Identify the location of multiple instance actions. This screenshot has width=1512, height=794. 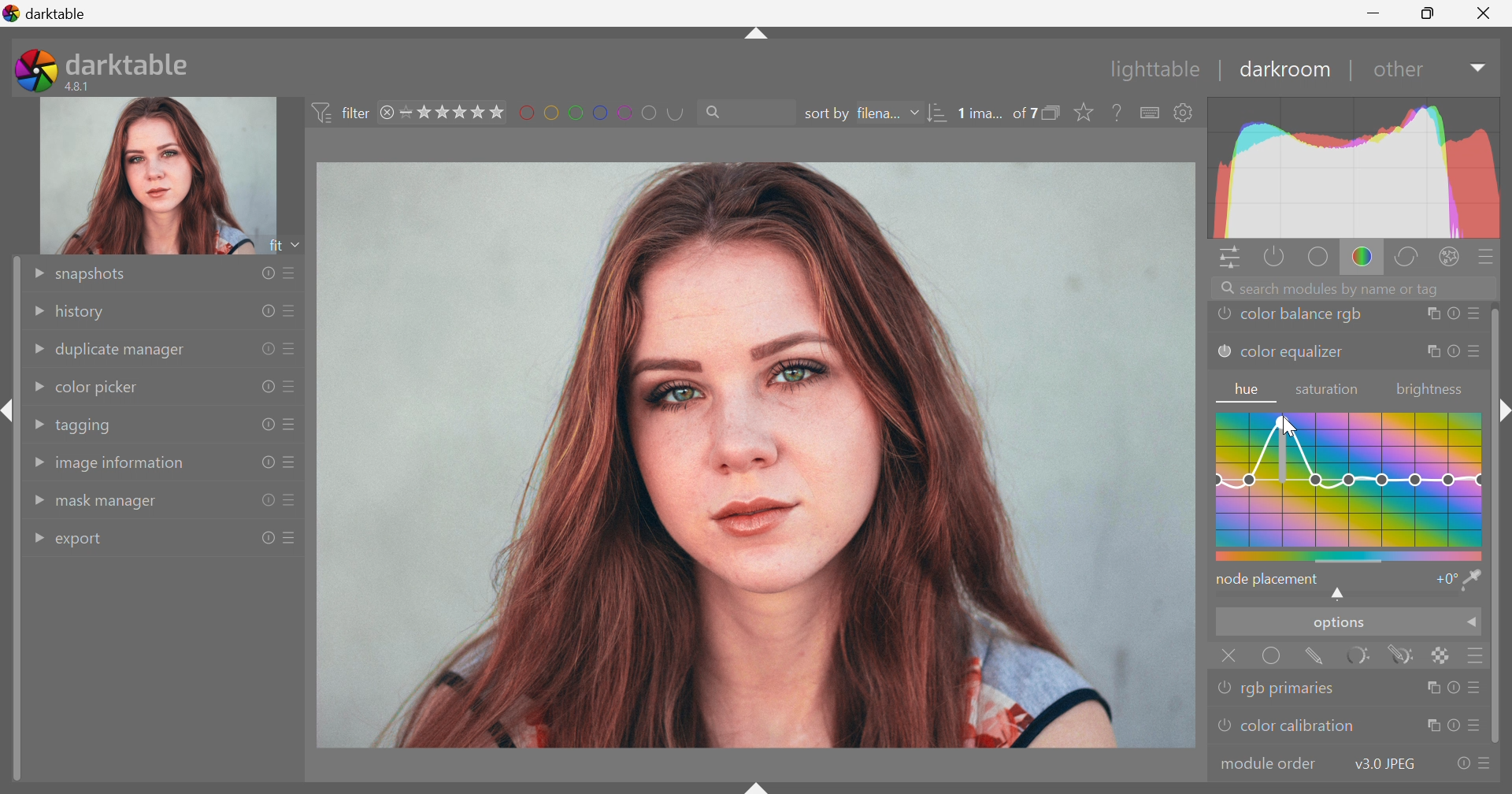
(1431, 315).